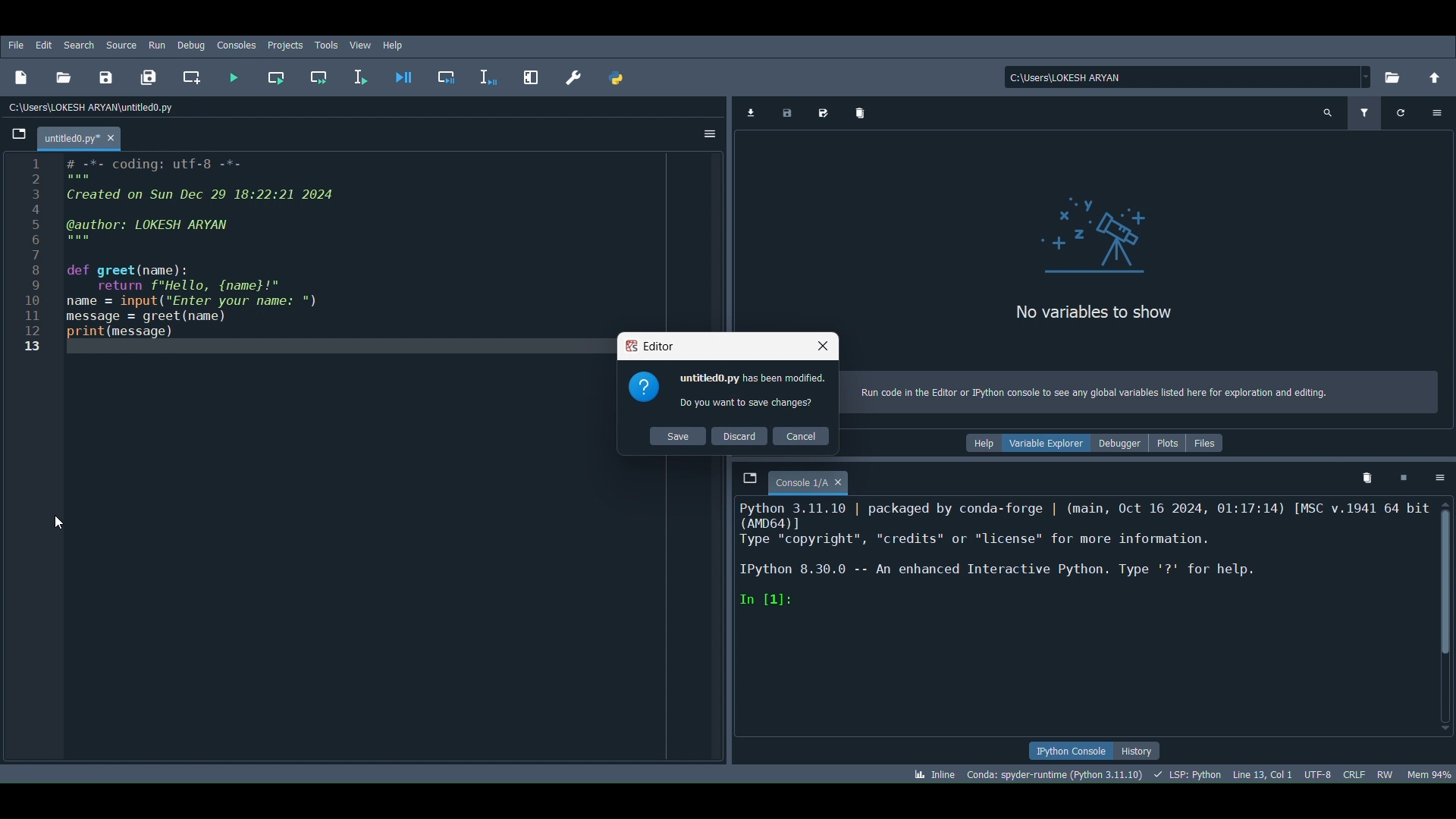 This screenshot has height=819, width=1456. I want to click on Run, so click(155, 43).